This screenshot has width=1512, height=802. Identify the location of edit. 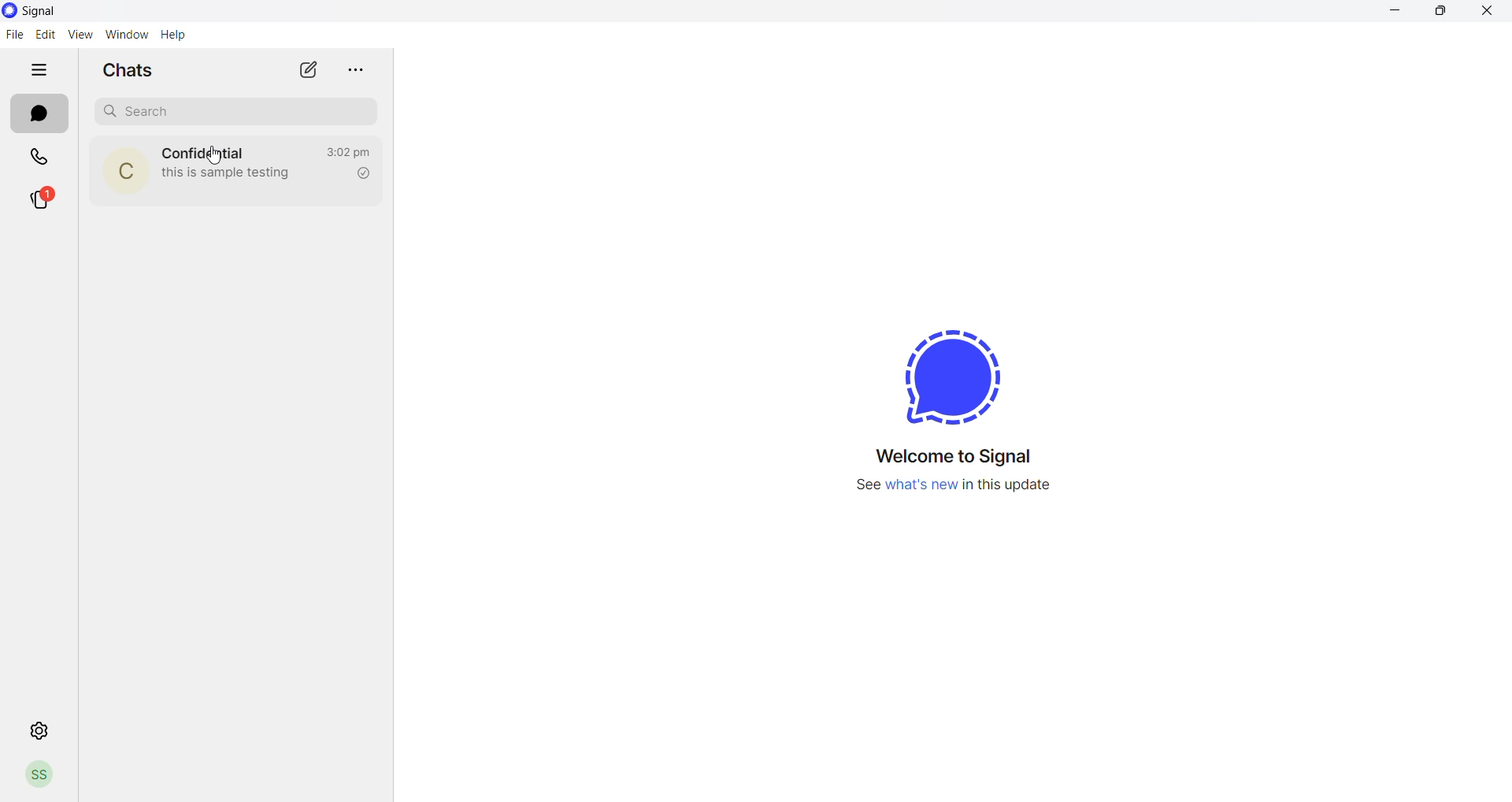
(46, 33).